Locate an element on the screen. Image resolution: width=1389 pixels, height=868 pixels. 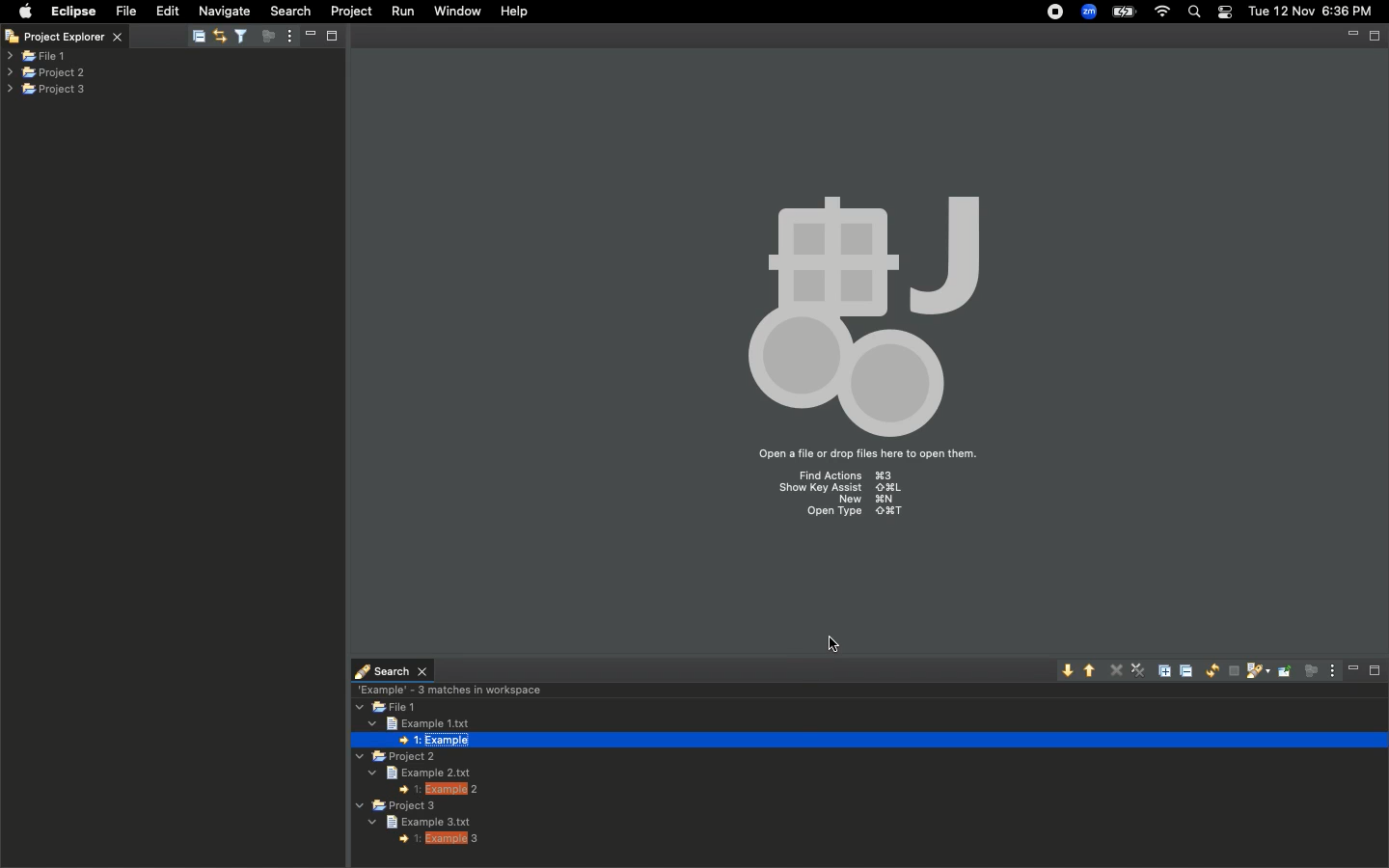
Cancel current search is located at coordinates (1232, 671).